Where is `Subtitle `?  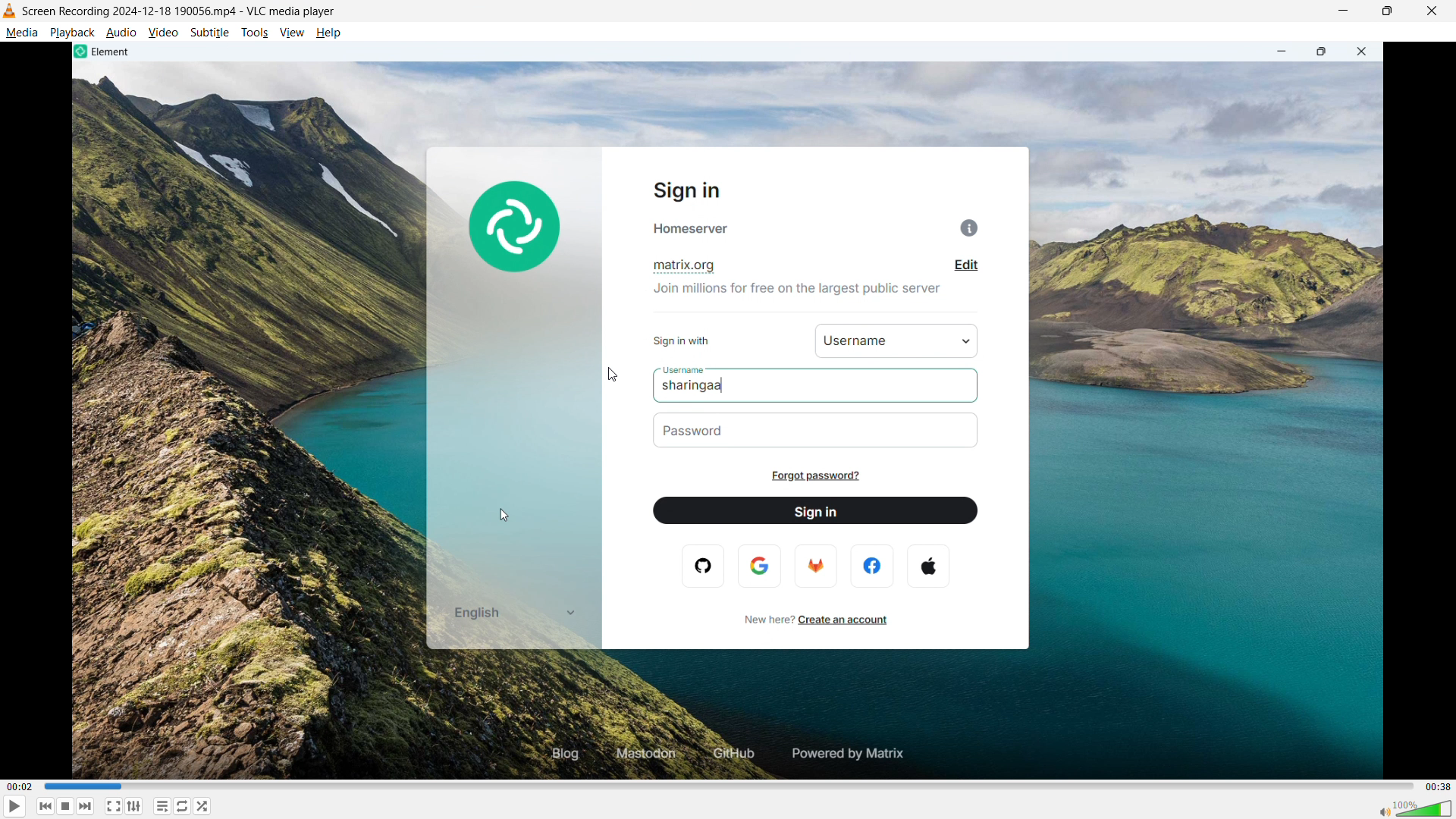 Subtitle  is located at coordinates (209, 33).